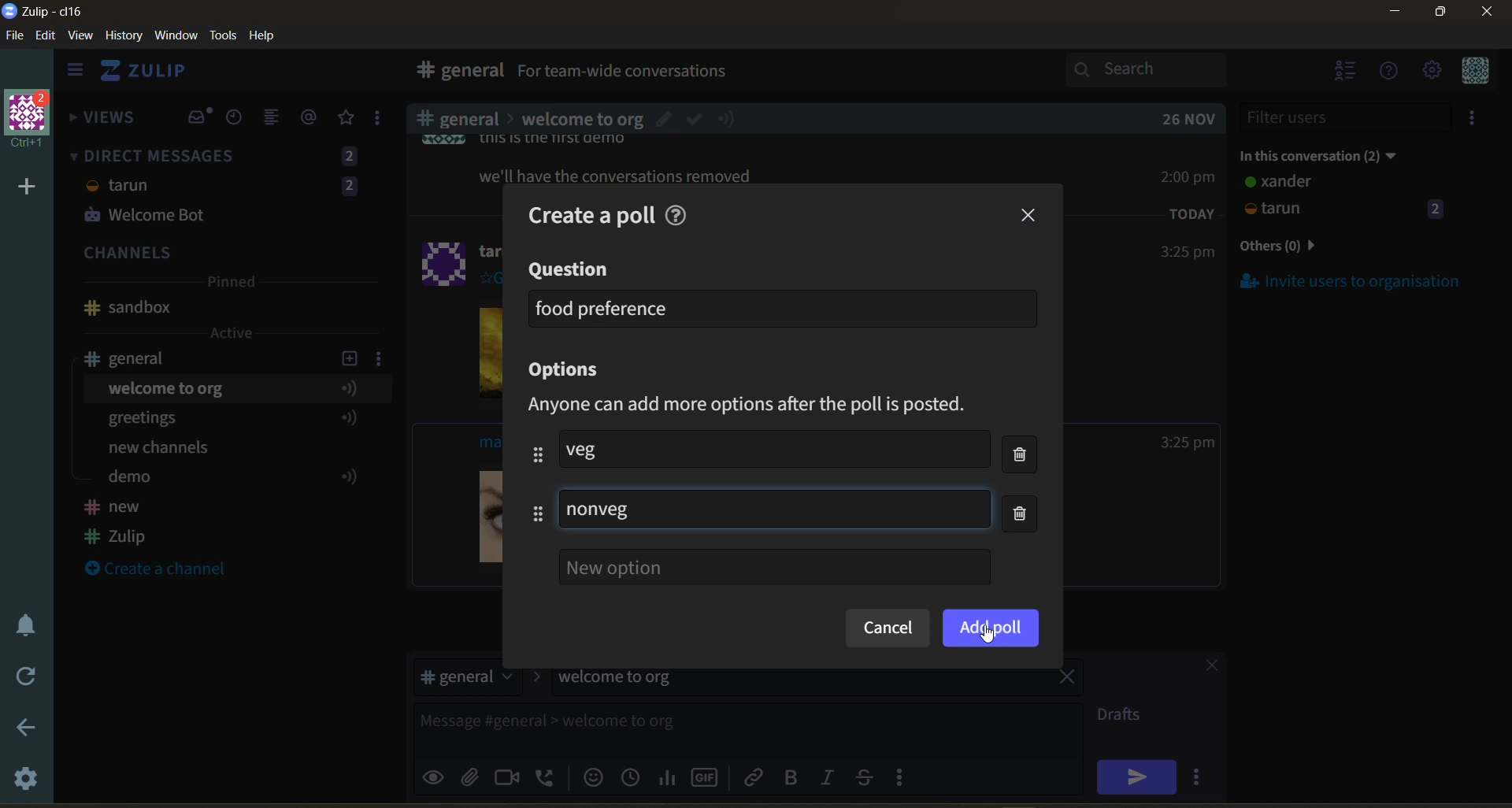 This screenshot has height=808, width=1512. What do you see at coordinates (1125, 717) in the screenshot?
I see `drafts` at bounding box center [1125, 717].